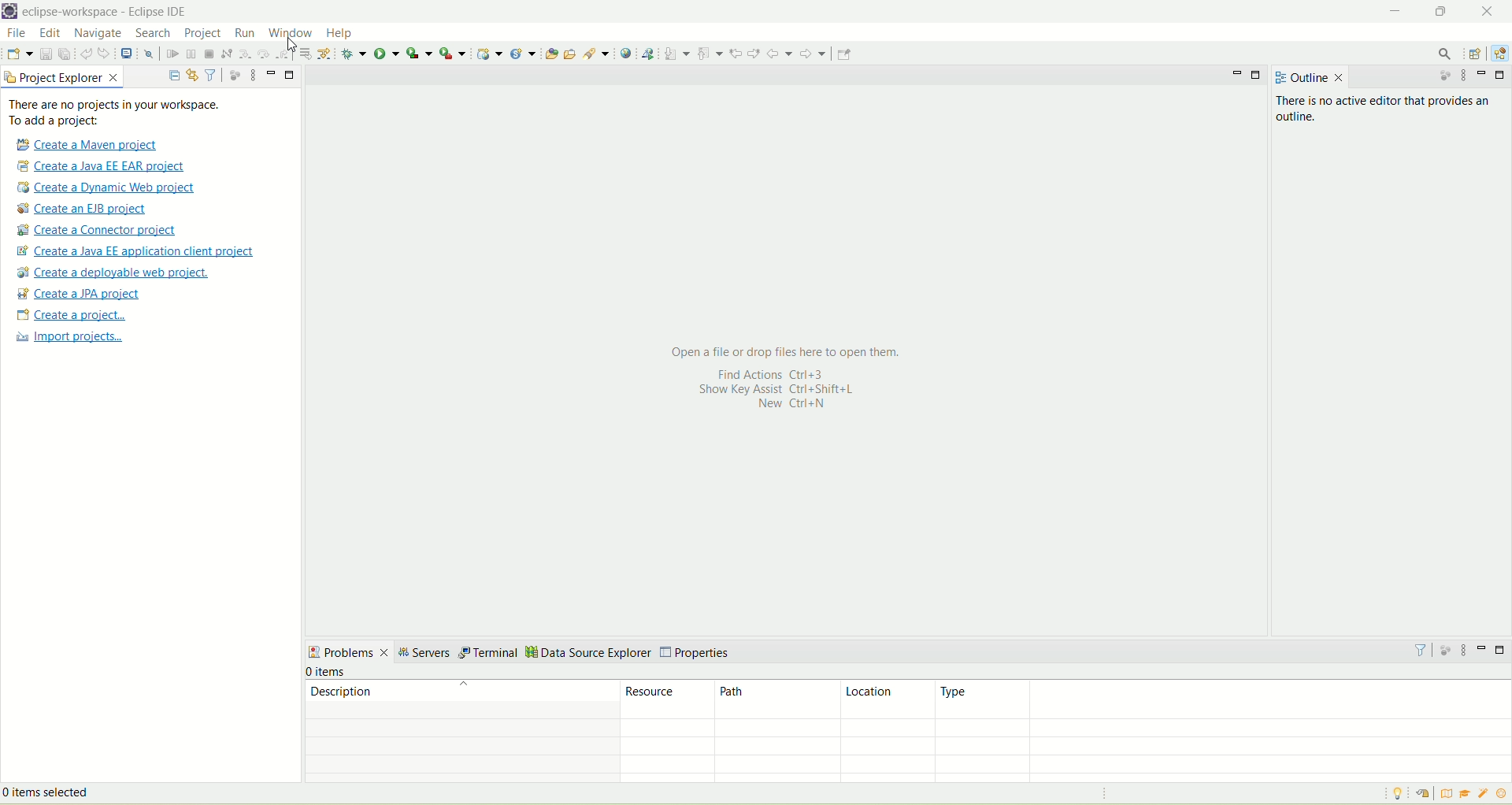 Image resolution: width=1512 pixels, height=805 pixels. Describe the element at coordinates (843, 56) in the screenshot. I see `pin editor` at that location.